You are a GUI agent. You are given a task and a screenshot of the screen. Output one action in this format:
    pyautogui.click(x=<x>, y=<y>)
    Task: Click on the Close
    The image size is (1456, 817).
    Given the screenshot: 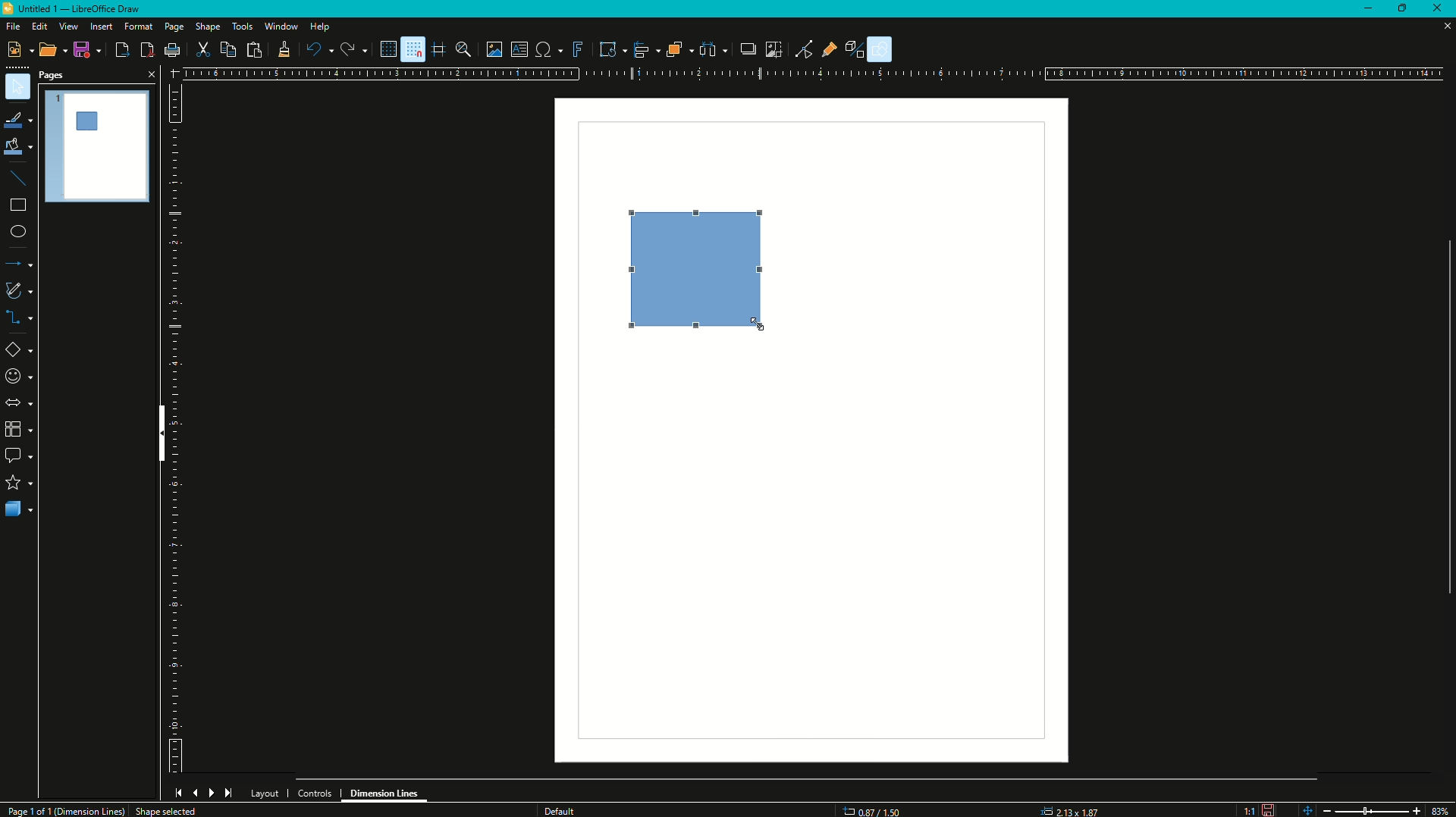 What is the action you would take?
    pyautogui.click(x=149, y=74)
    